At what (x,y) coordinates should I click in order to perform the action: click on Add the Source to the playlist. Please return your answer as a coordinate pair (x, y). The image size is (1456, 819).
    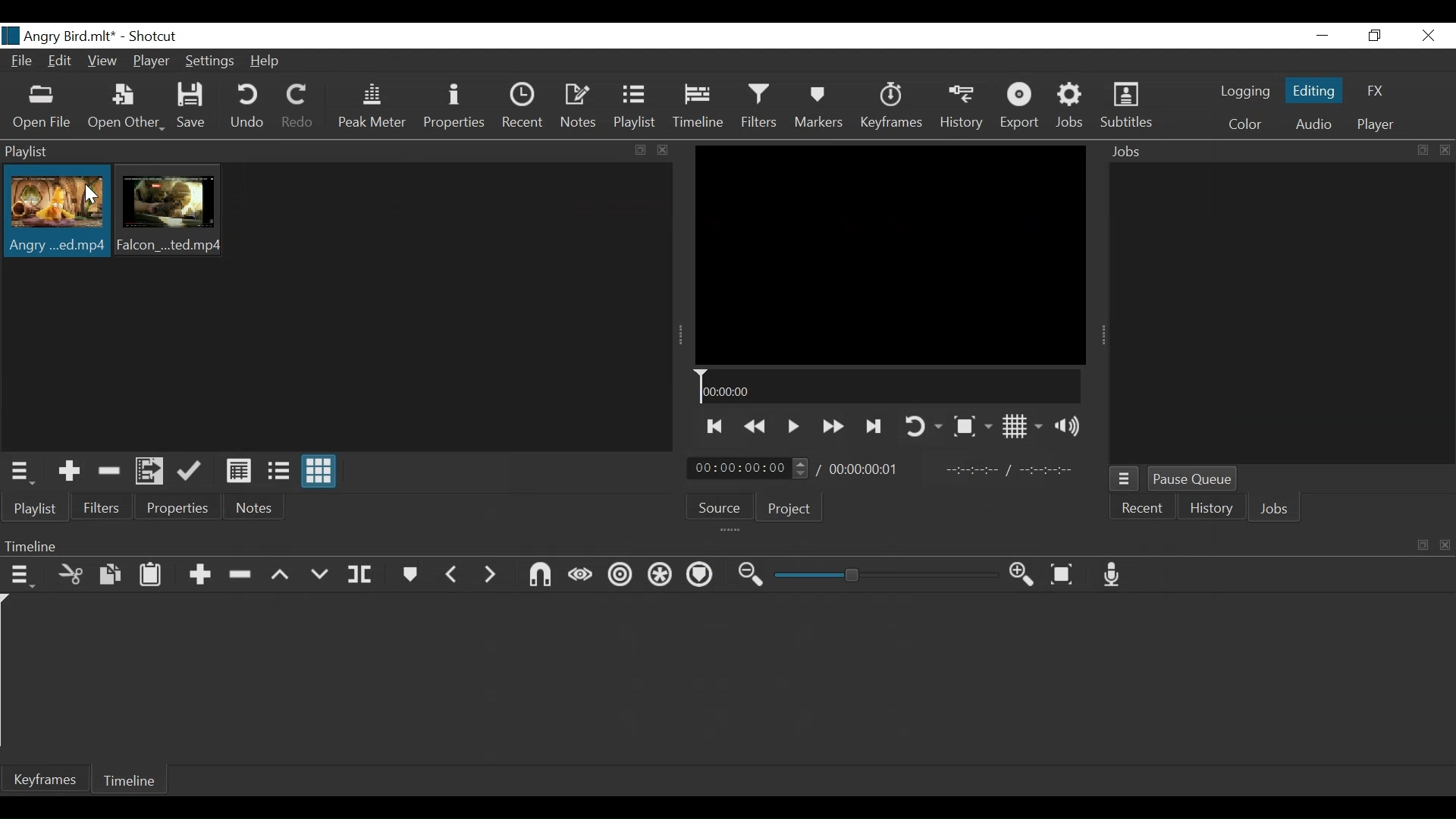
    Looking at the image, I should click on (67, 472).